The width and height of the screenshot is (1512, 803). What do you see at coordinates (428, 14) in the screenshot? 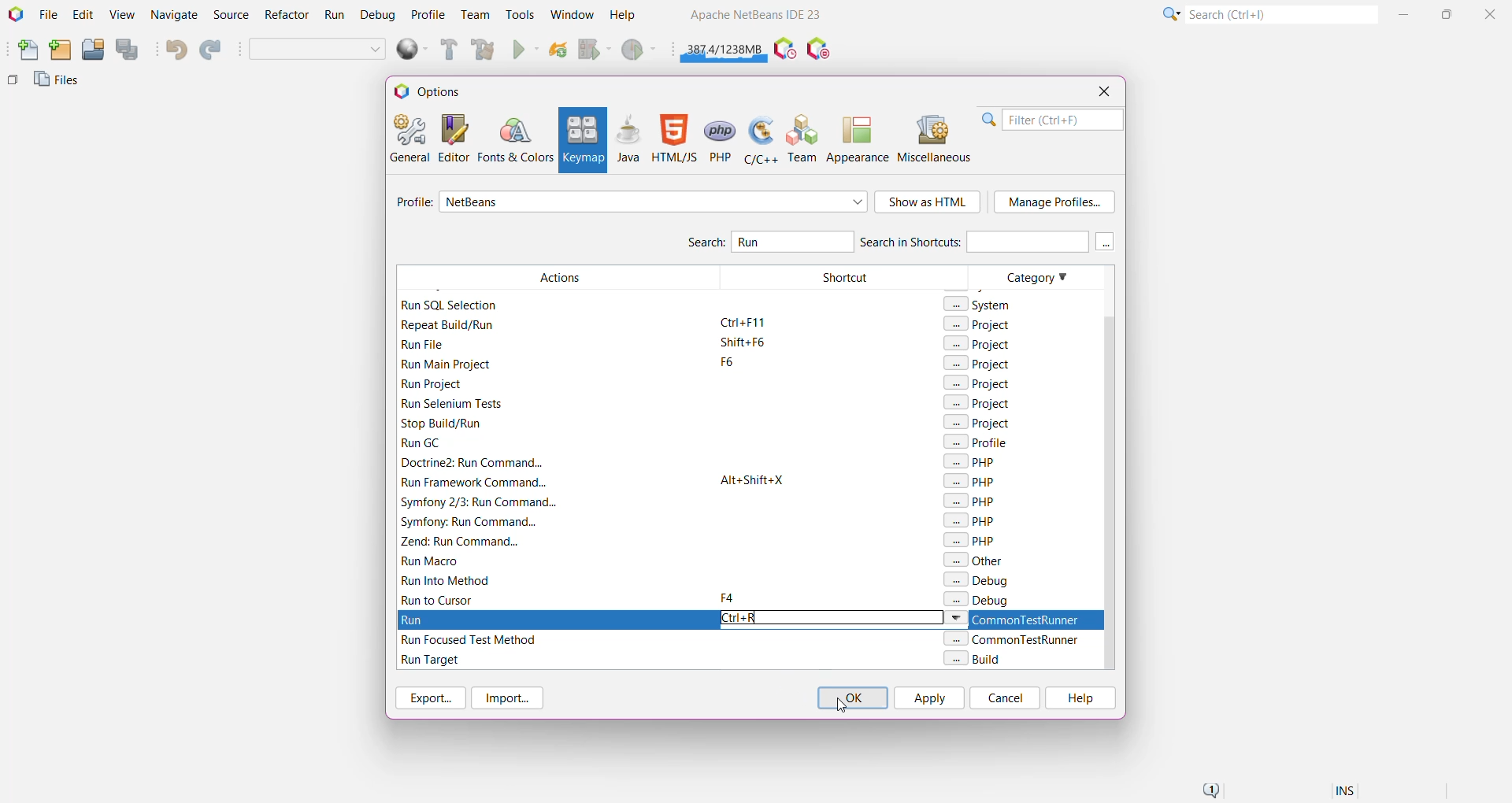
I see `Profile` at bounding box center [428, 14].